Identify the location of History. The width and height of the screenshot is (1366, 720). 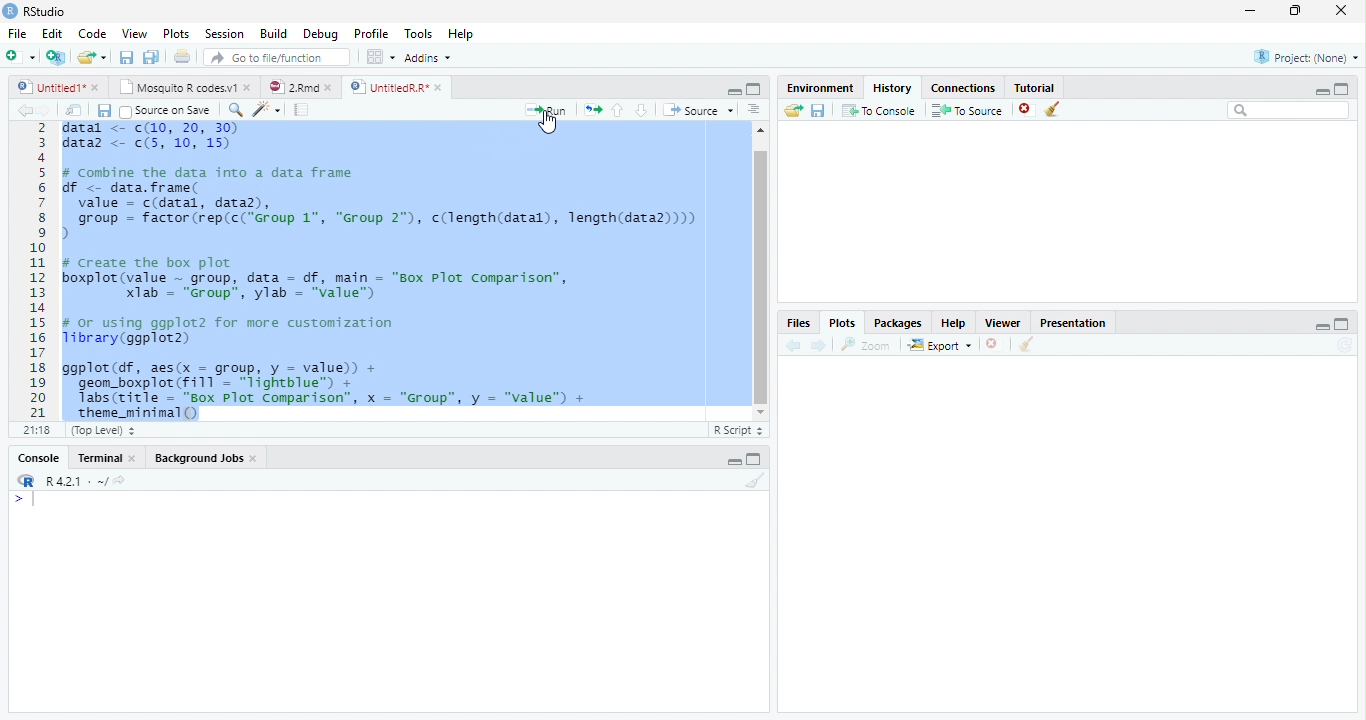
(893, 88).